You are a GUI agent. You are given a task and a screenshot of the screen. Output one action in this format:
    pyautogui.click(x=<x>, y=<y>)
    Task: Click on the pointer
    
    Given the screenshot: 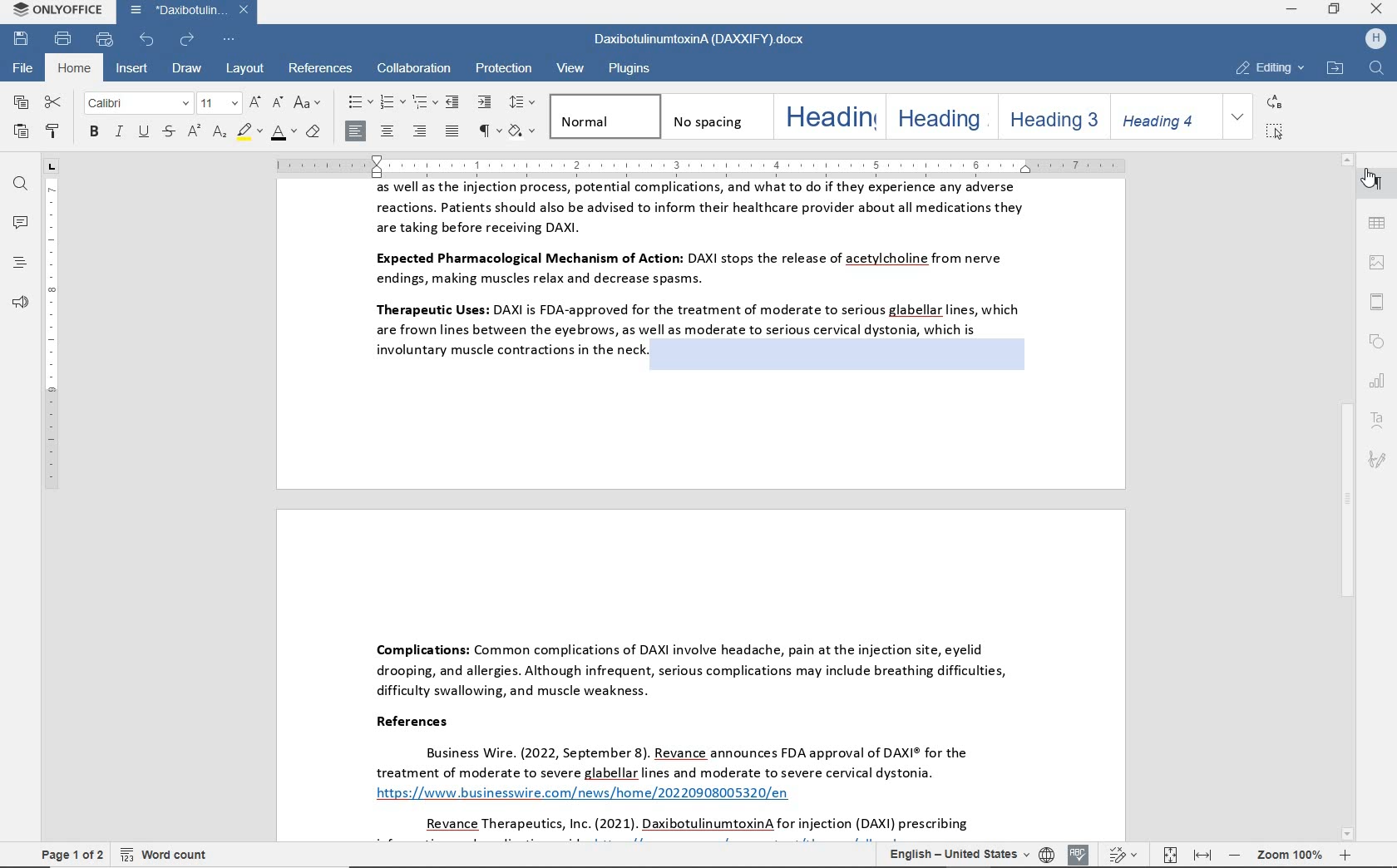 What is the action you would take?
    pyautogui.click(x=1368, y=184)
    